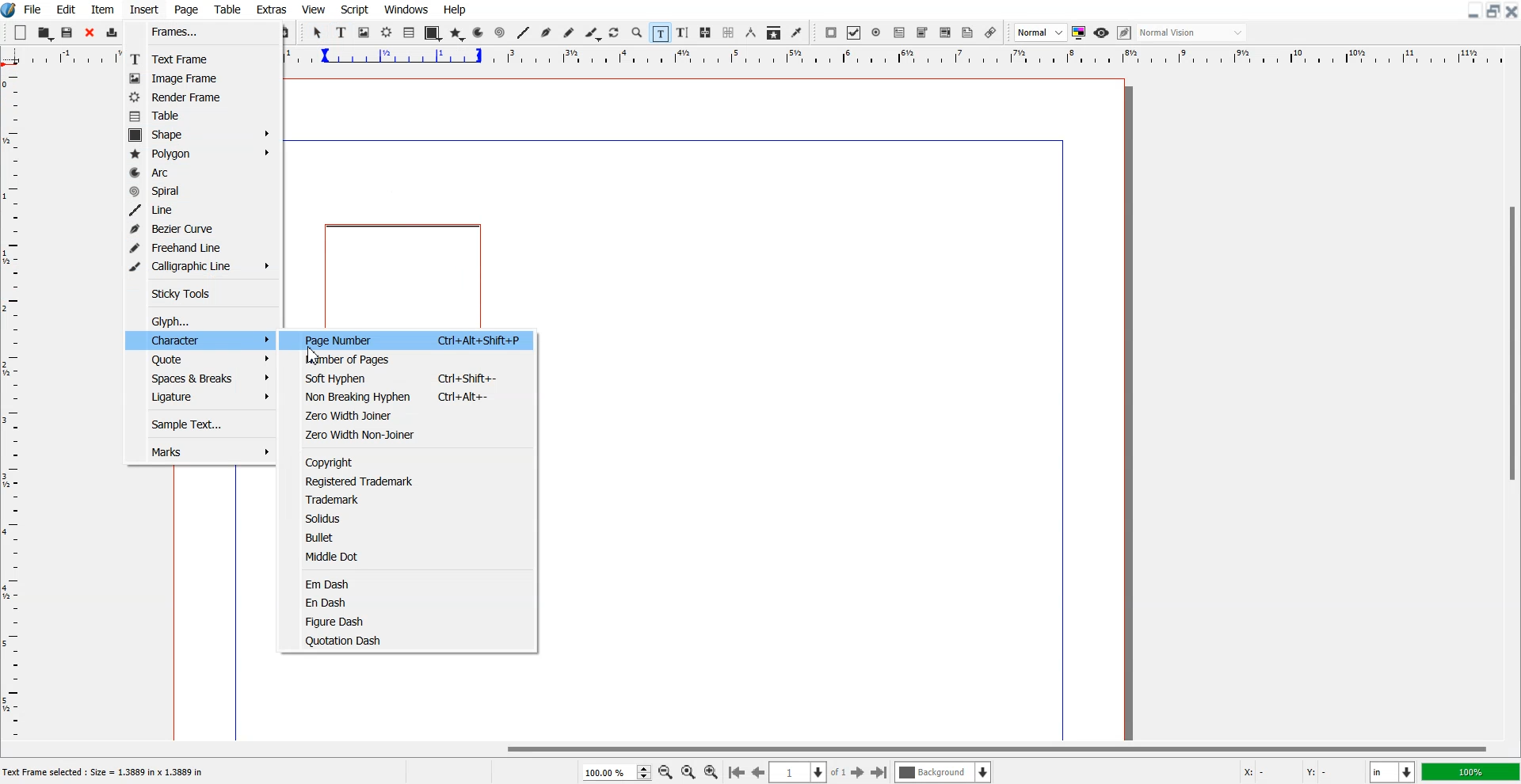  Describe the element at coordinates (637, 32) in the screenshot. I see `Zoom In or Out` at that location.